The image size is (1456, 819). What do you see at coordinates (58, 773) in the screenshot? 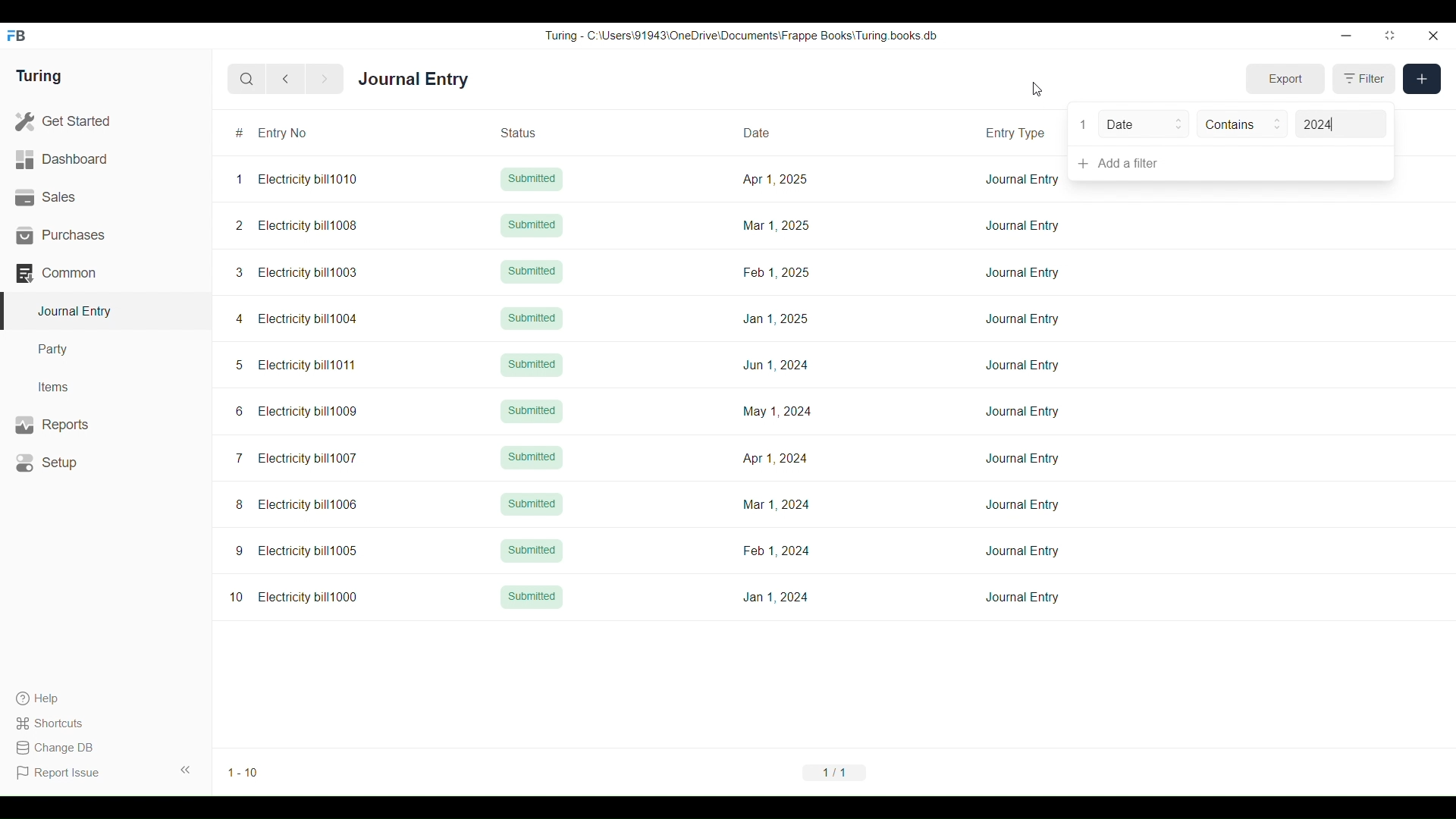
I see `Report Issue` at bounding box center [58, 773].